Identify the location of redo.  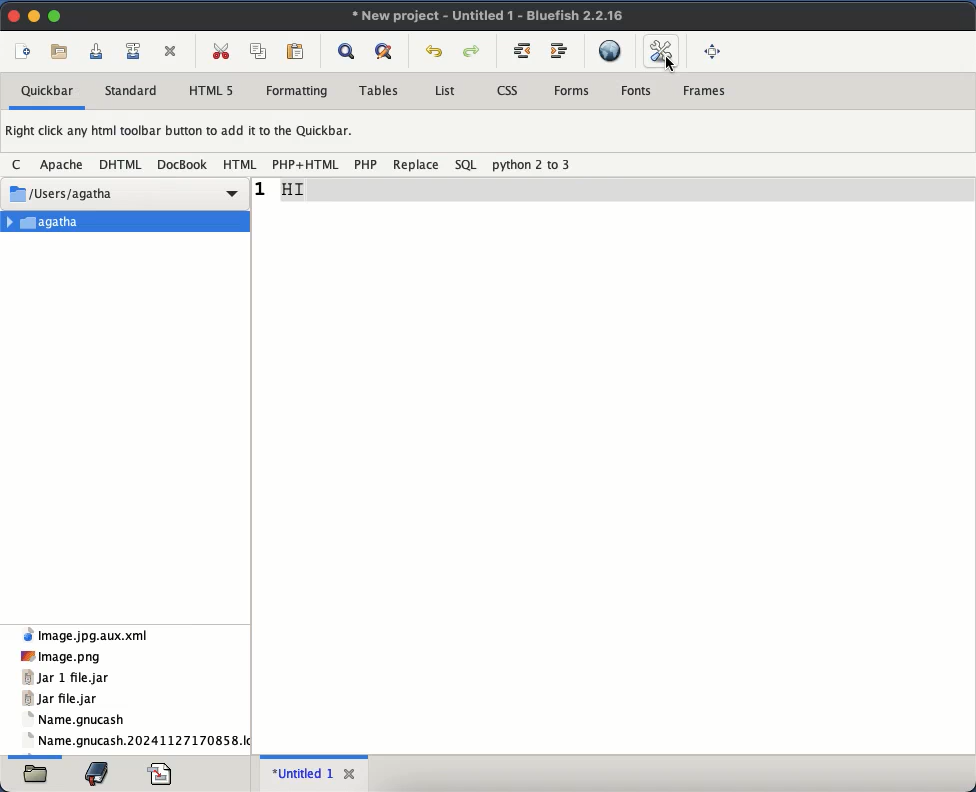
(473, 52).